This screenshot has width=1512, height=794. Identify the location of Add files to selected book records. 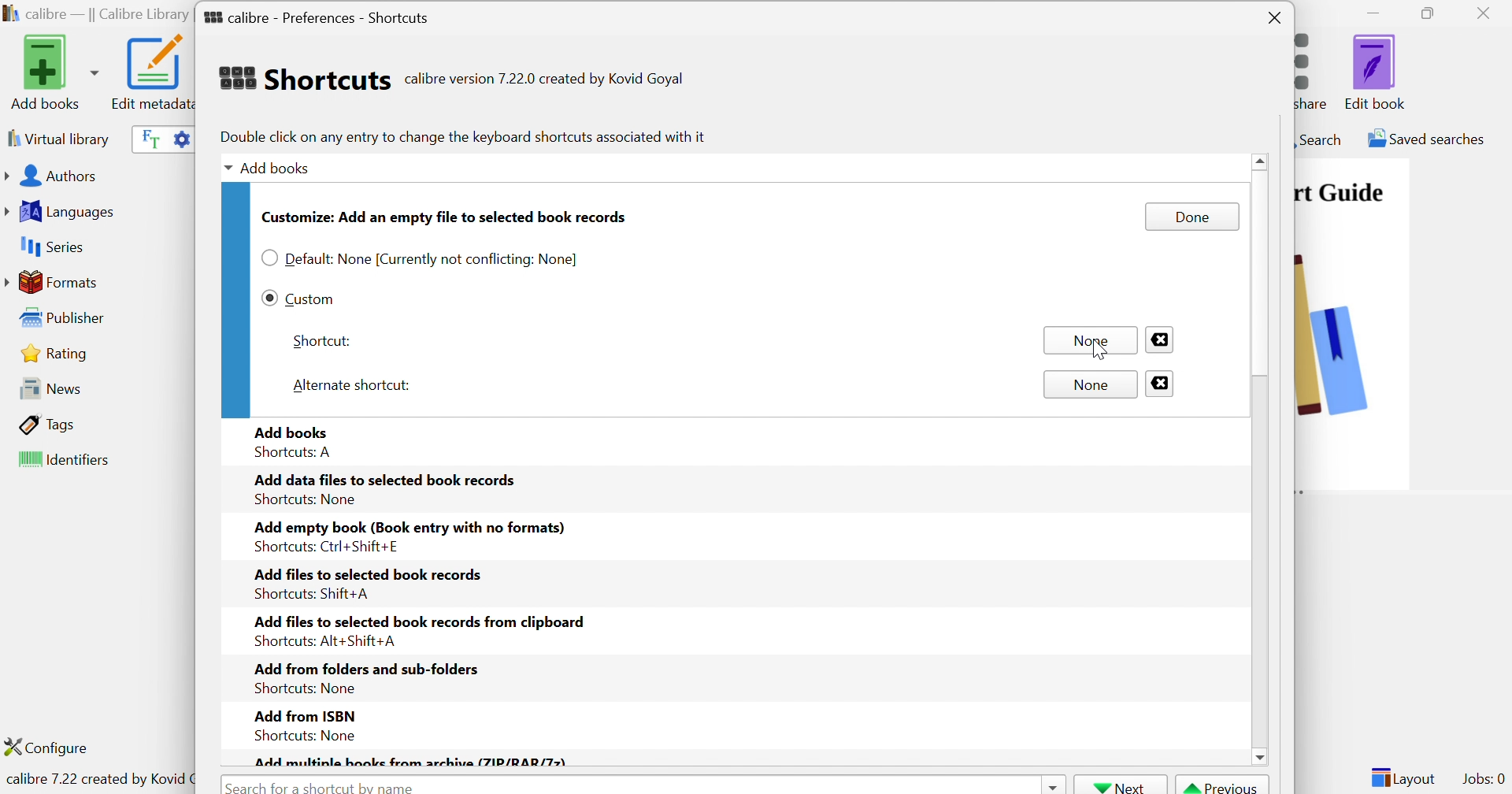
(369, 573).